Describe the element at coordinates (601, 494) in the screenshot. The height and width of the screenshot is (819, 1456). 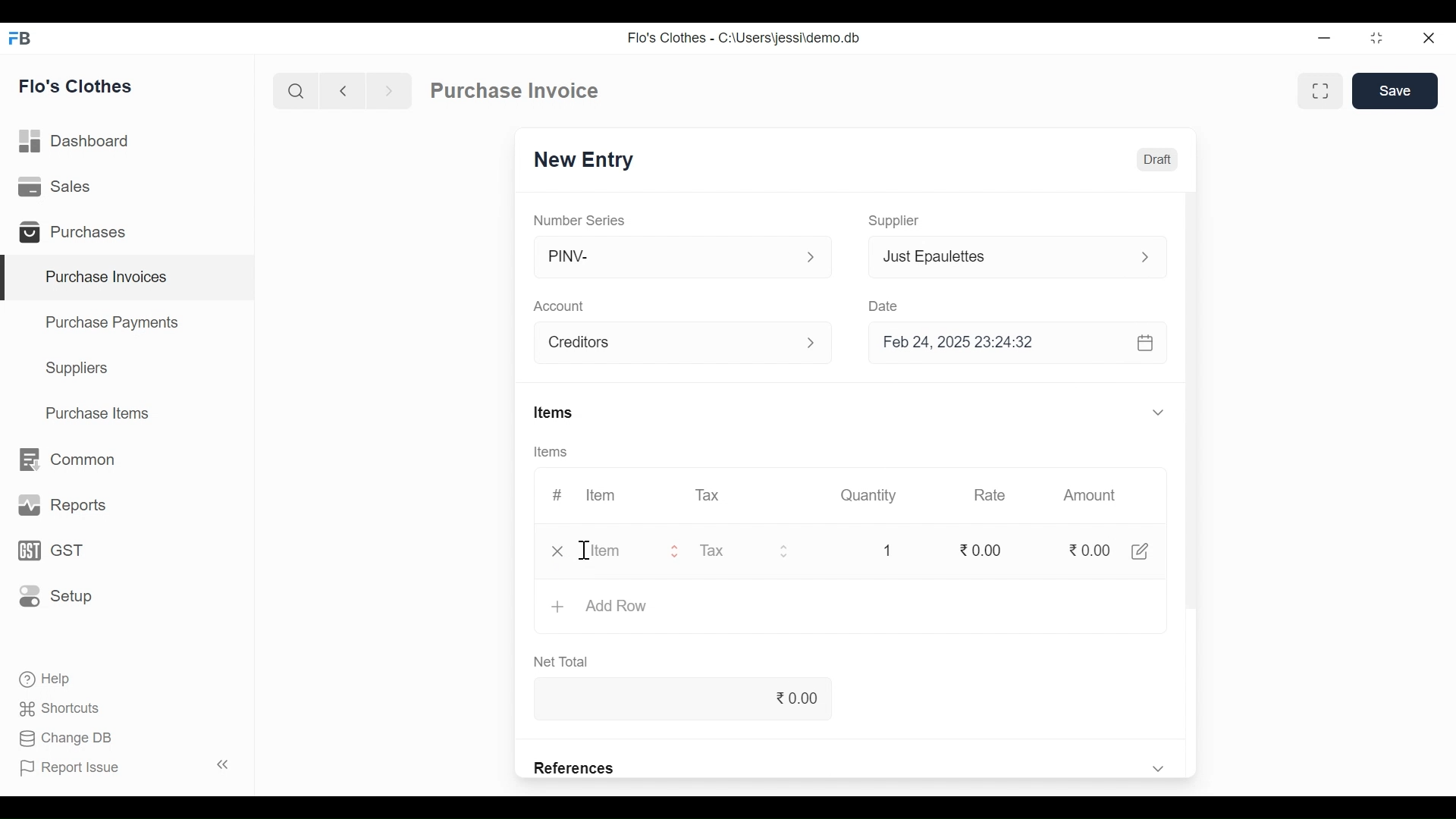
I see `Item` at that location.